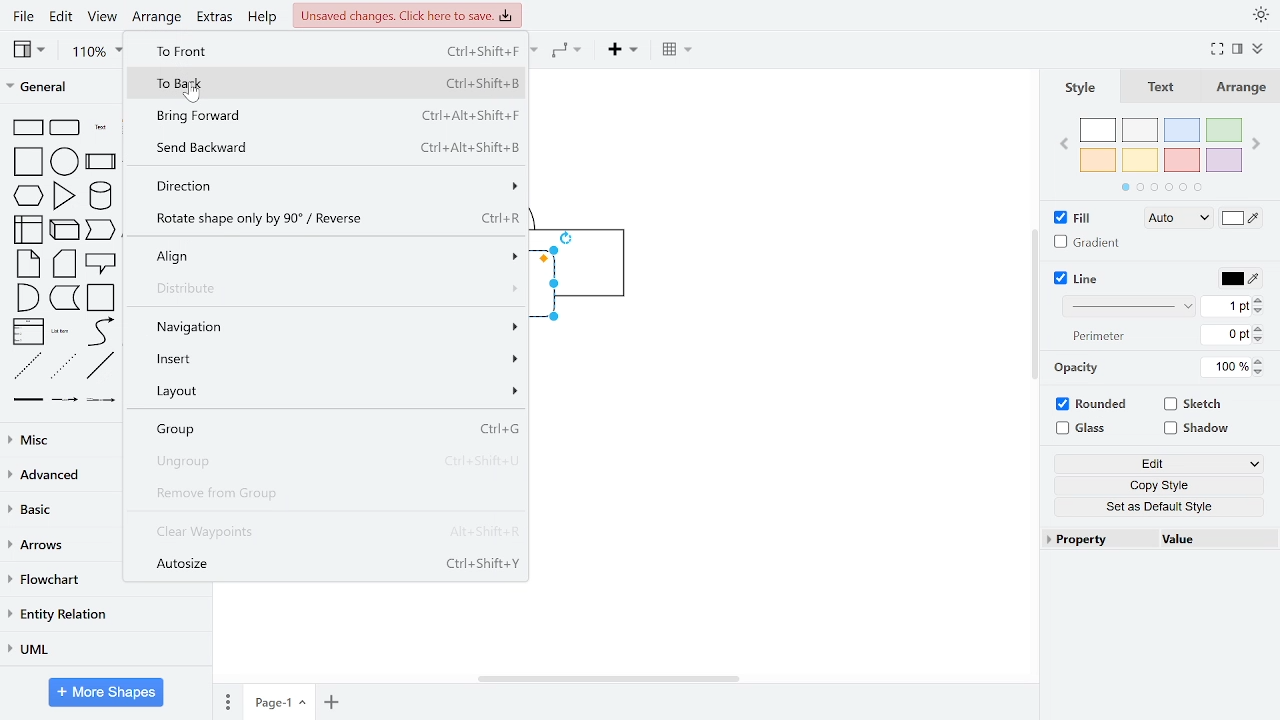 This screenshot has width=1280, height=720. Describe the element at coordinates (333, 116) in the screenshot. I see `Bring forward` at that location.